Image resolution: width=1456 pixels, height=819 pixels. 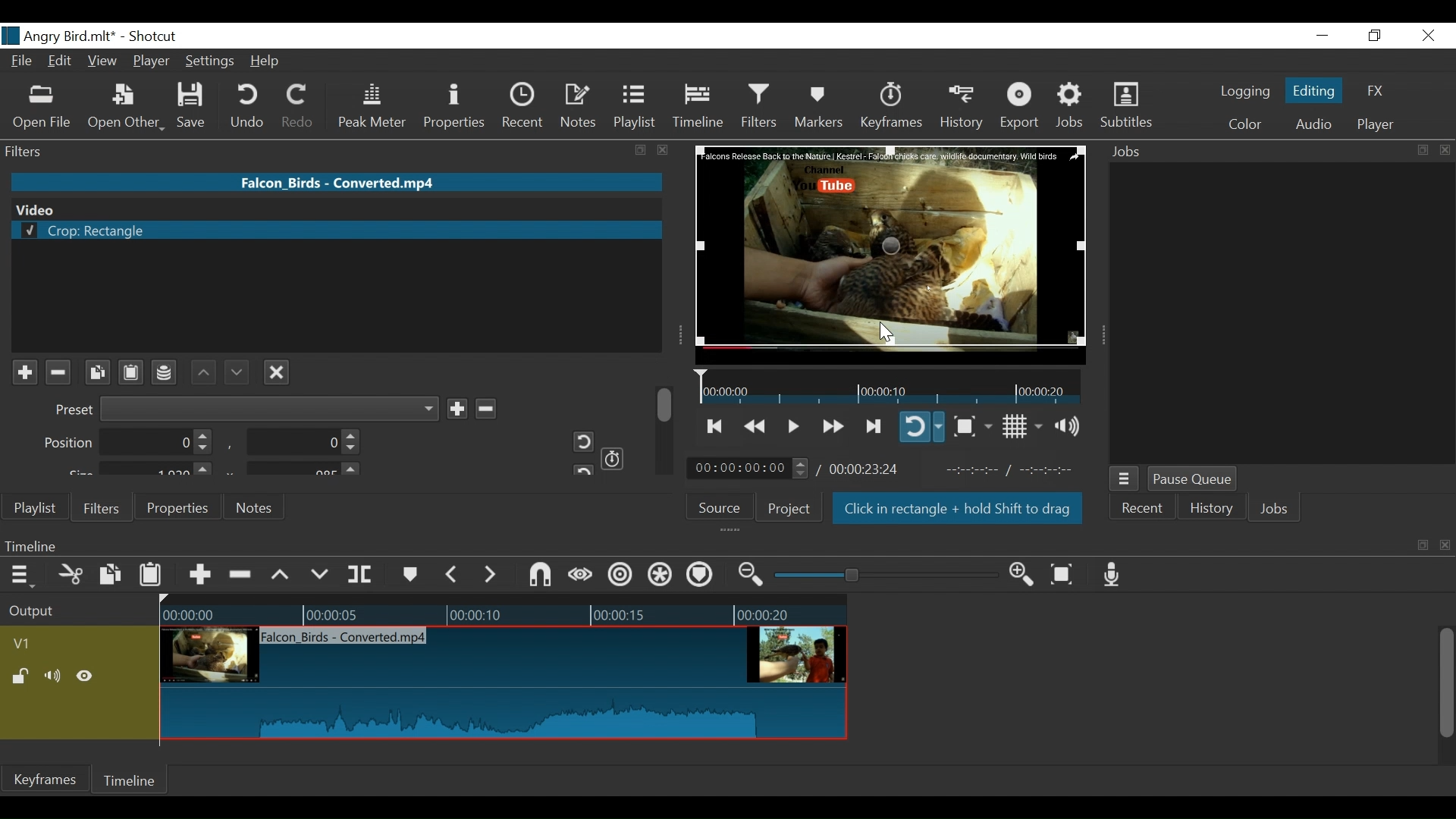 I want to click on 0, so click(x=300, y=444).